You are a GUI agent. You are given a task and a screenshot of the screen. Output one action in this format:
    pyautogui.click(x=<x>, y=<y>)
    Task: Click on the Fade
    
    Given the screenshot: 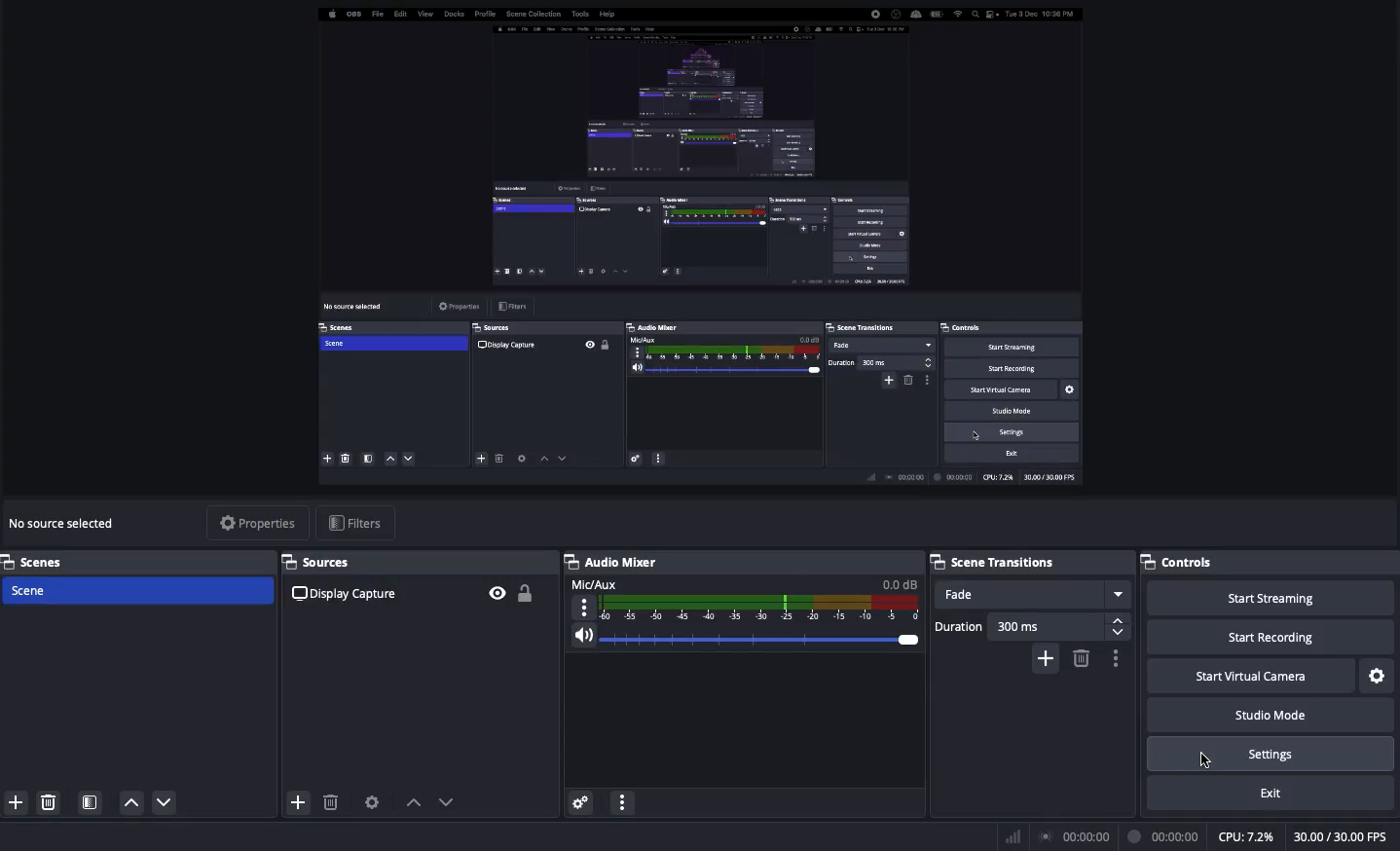 What is the action you would take?
    pyautogui.click(x=1033, y=594)
    